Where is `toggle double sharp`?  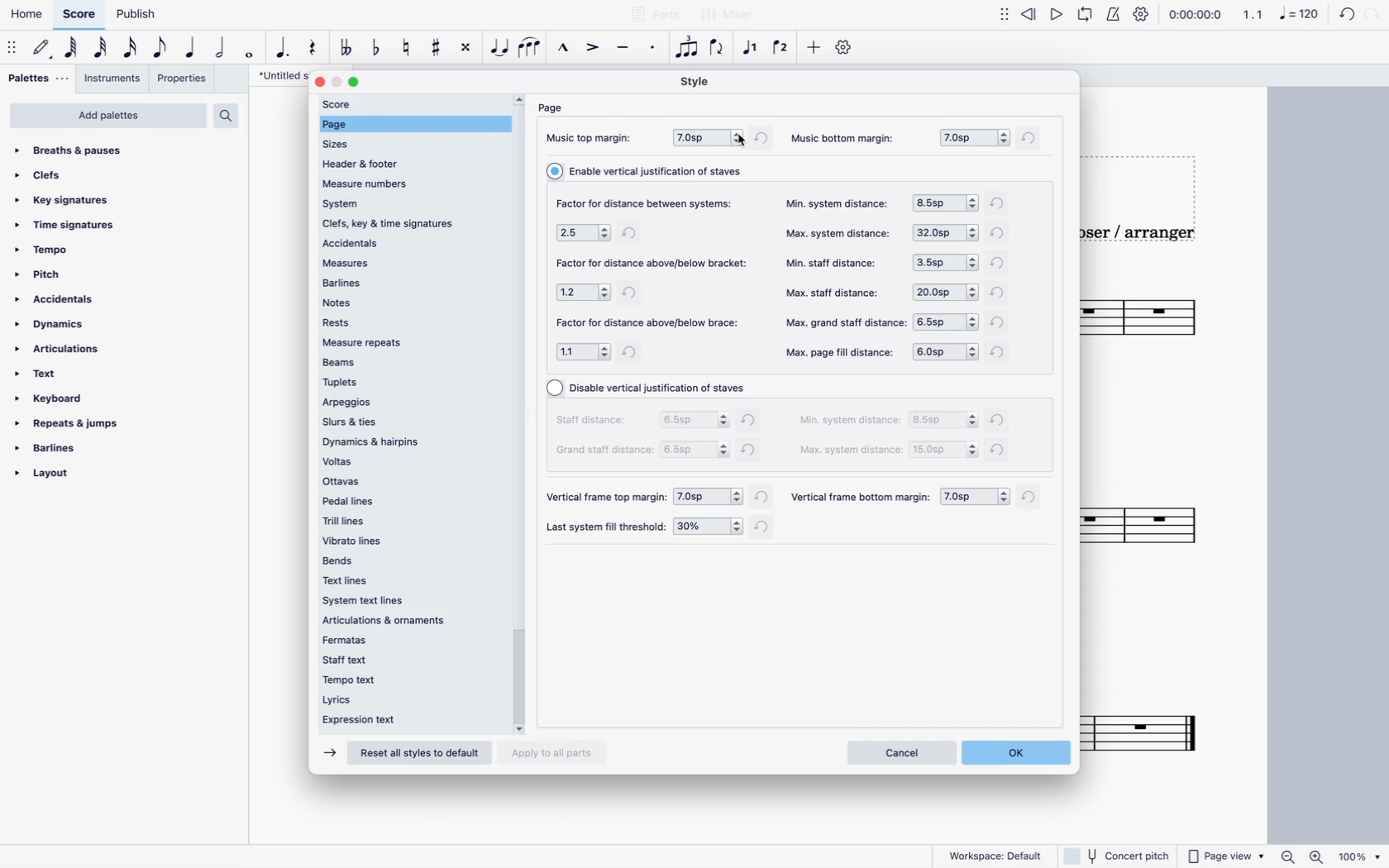 toggle double sharp is located at coordinates (465, 49).